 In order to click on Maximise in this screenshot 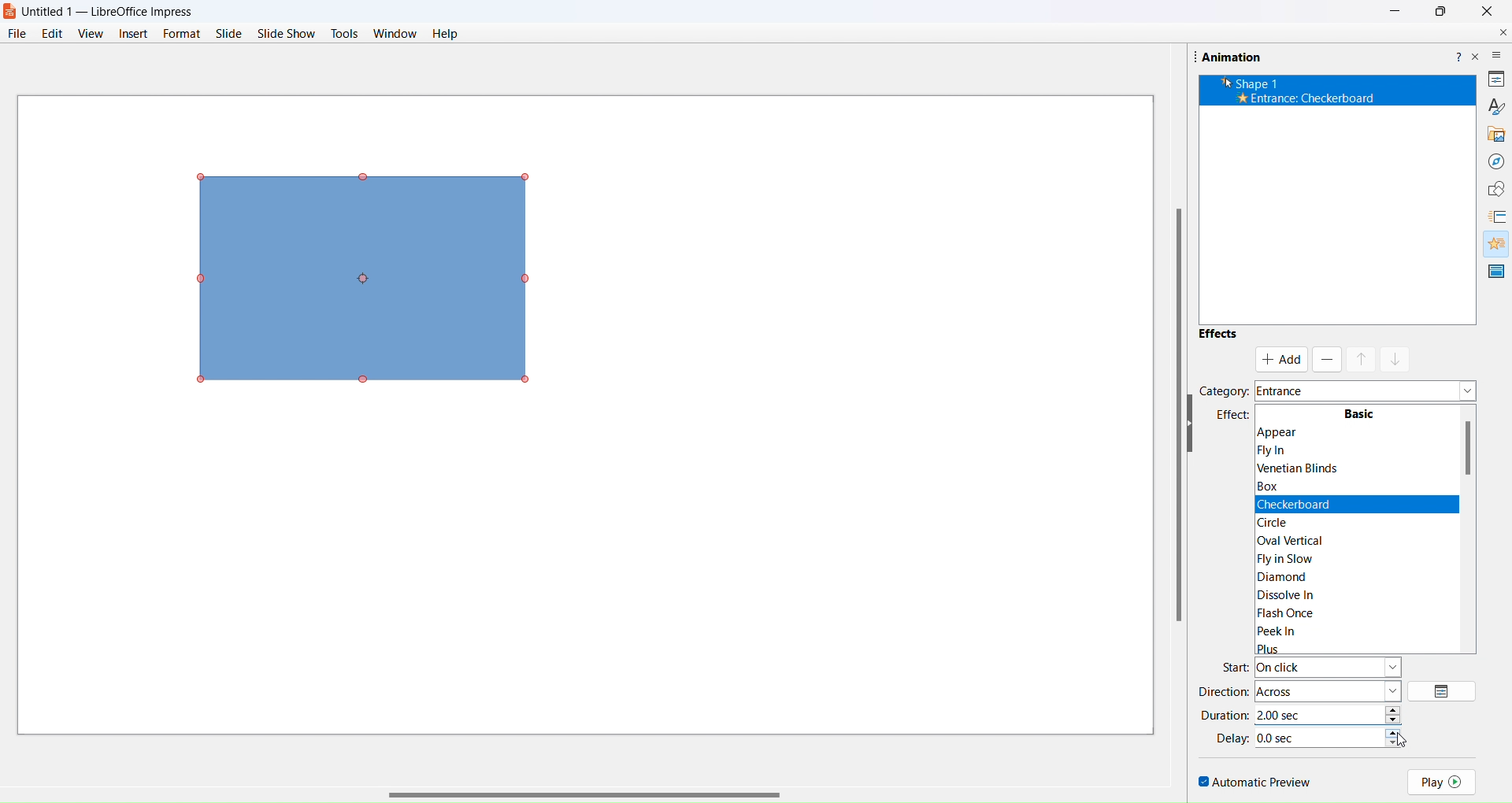, I will do `click(1438, 13)`.